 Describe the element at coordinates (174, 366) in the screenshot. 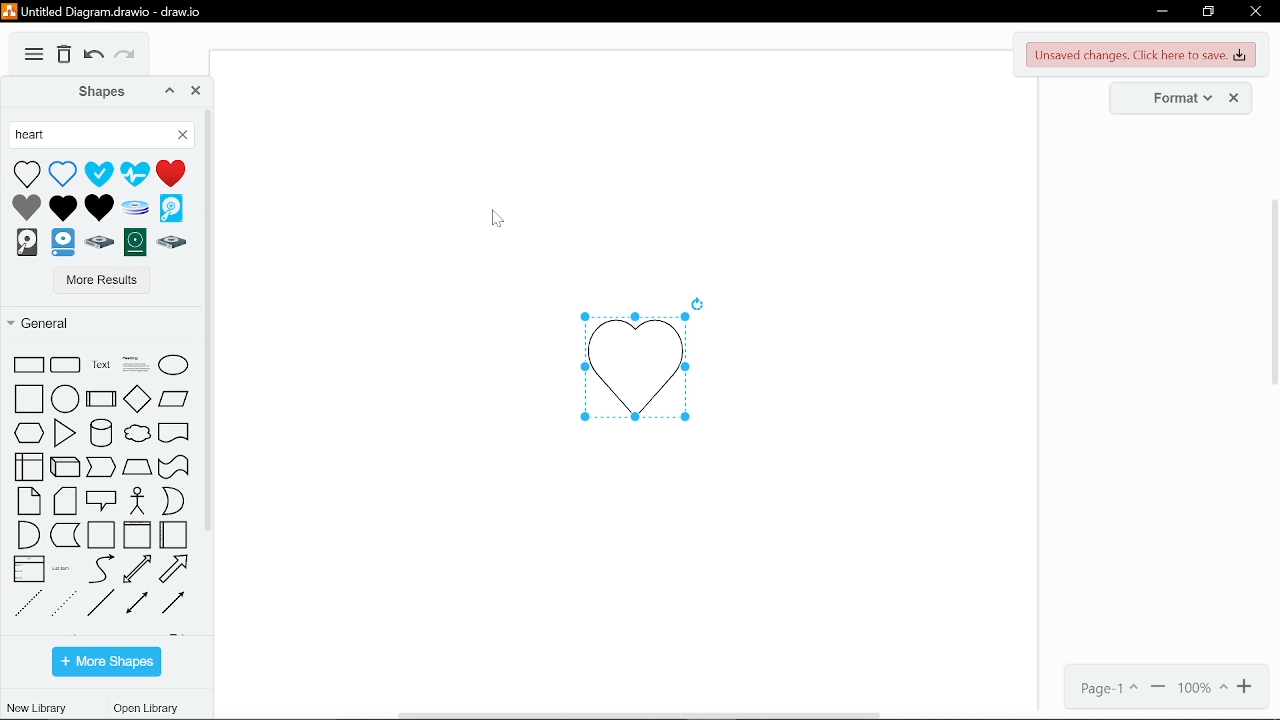

I see `ellipse` at that location.